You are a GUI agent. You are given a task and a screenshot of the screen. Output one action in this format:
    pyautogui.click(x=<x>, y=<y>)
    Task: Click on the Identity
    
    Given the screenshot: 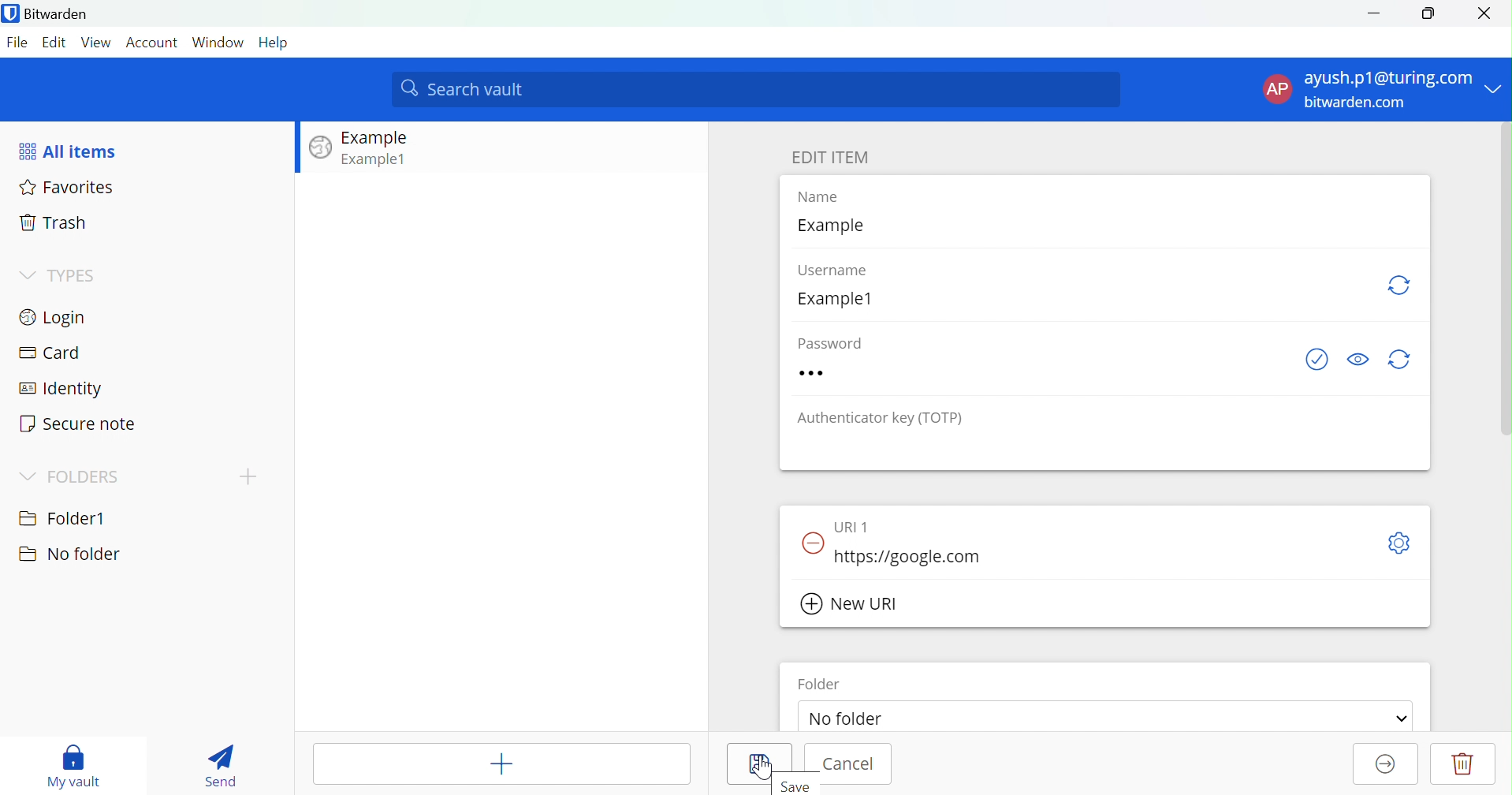 What is the action you would take?
    pyautogui.click(x=62, y=390)
    